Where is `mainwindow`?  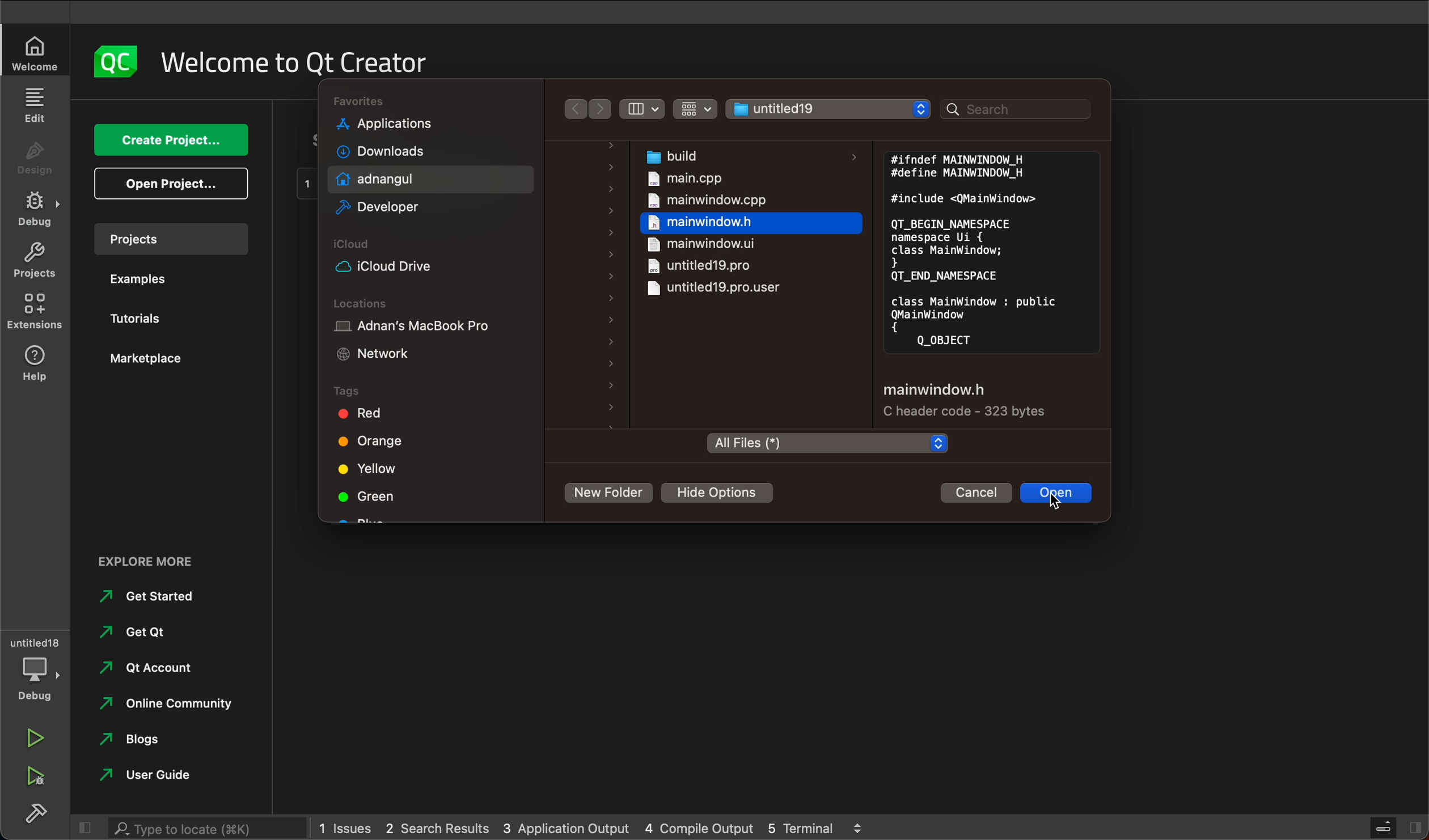 mainwindow is located at coordinates (711, 244).